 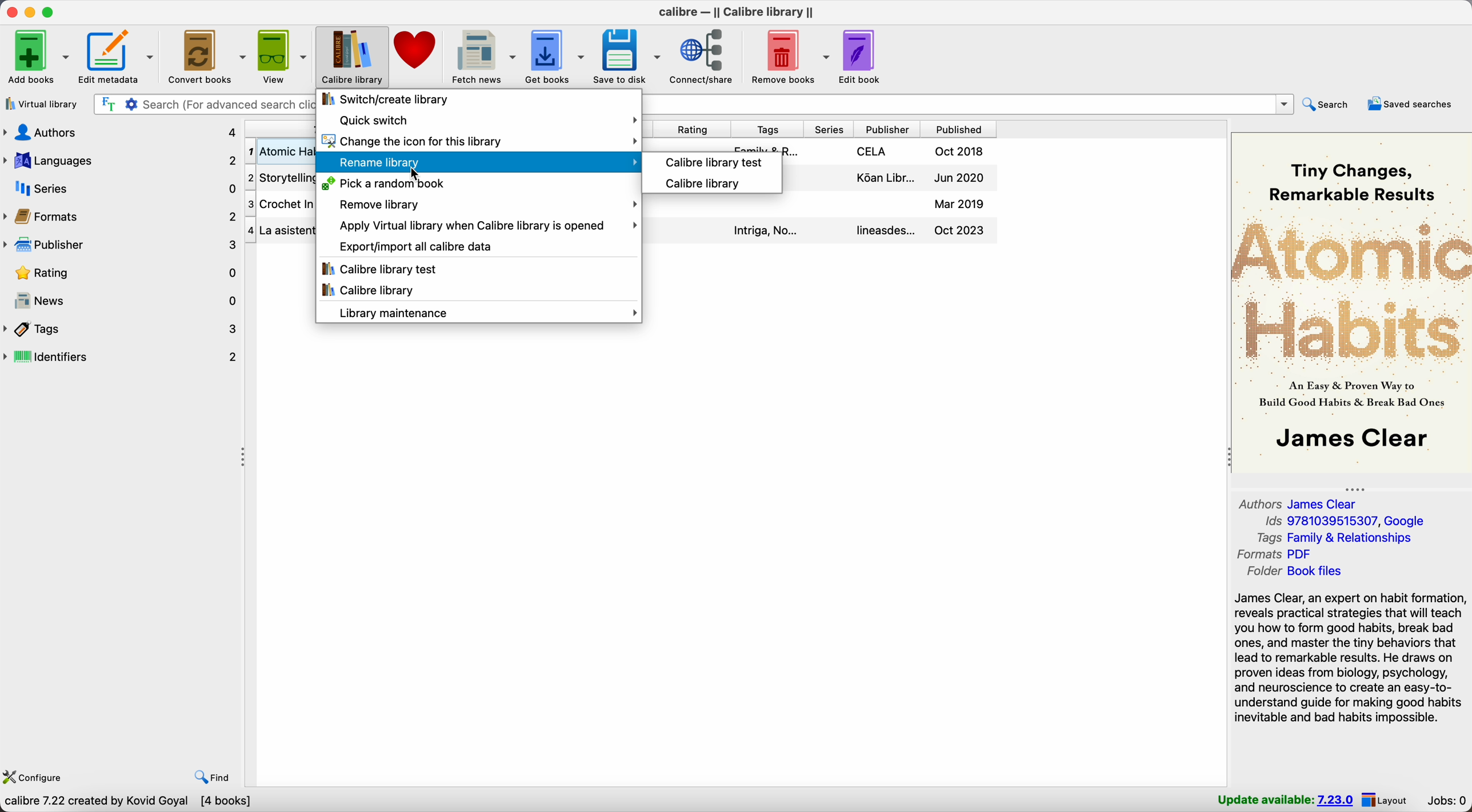 What do you see at coordinates (418, 49) in the screenshot?
I see `donate` at bounding box center [418, 49].